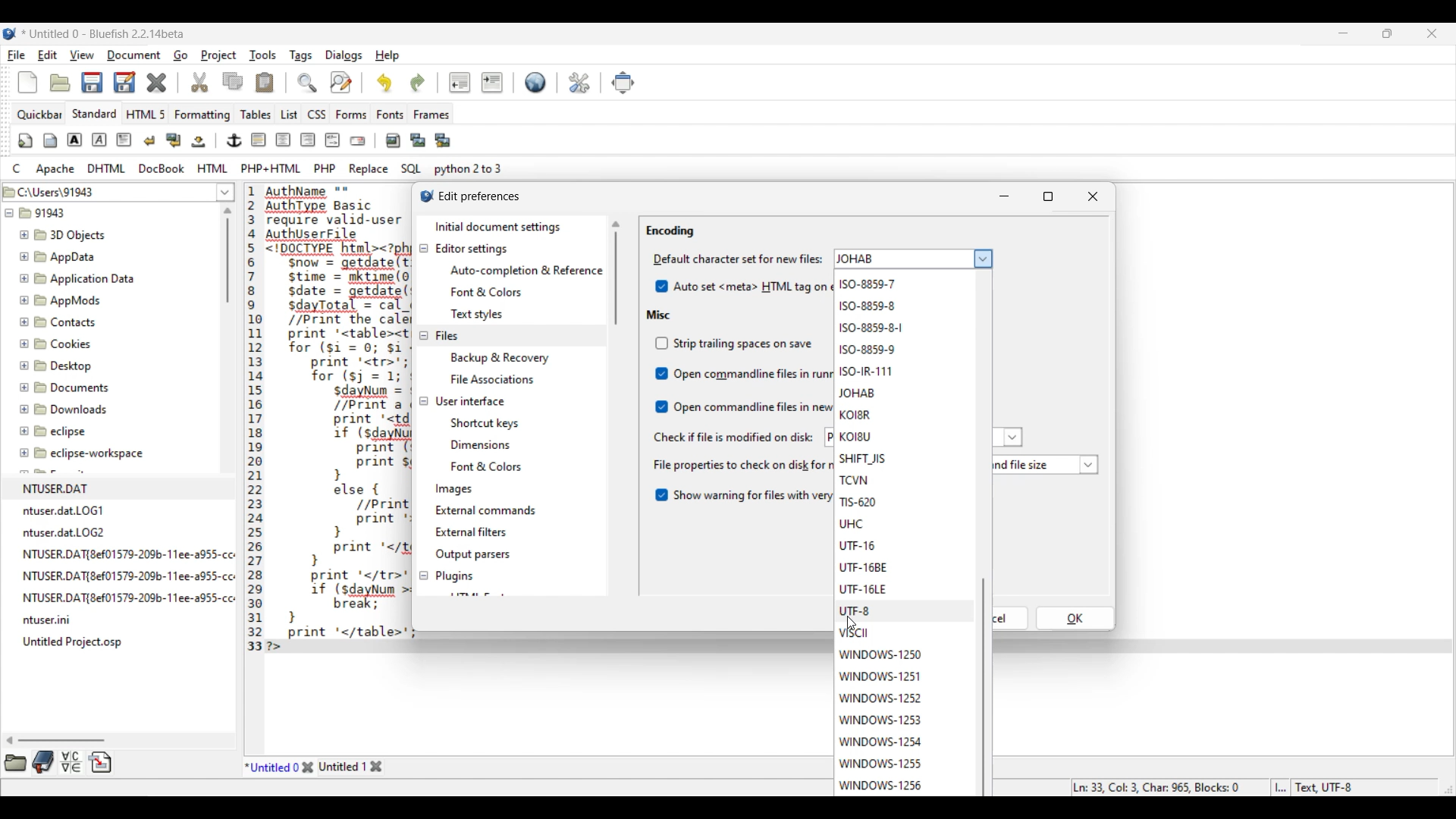 The width and height of the screenshot is (1456, 819). What do you see at coordinates (499, 445) in the screenshot?
I see `User interface setting options` at bounding box center [499, 445].